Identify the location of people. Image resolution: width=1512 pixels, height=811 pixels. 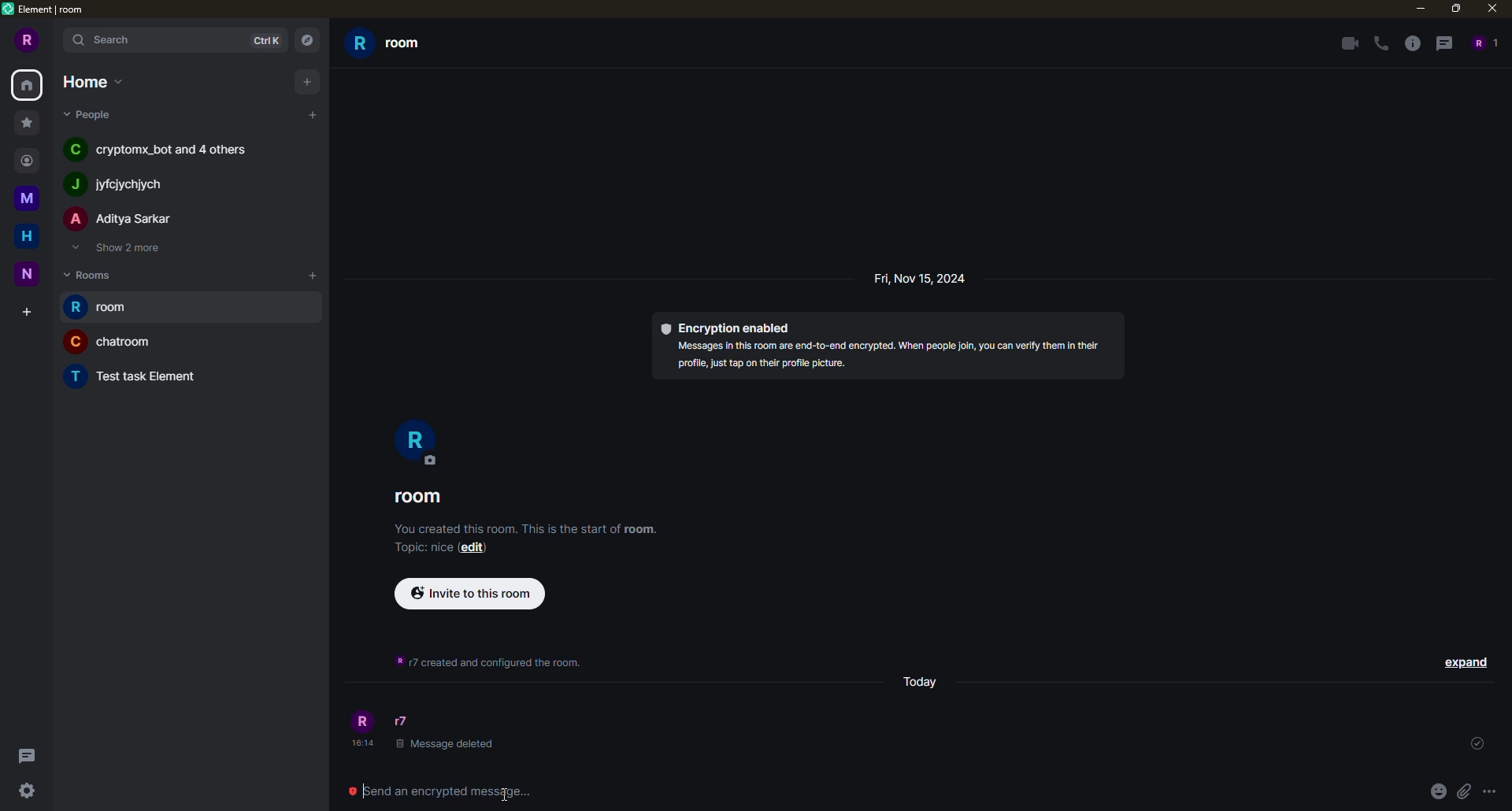
(124, 183).